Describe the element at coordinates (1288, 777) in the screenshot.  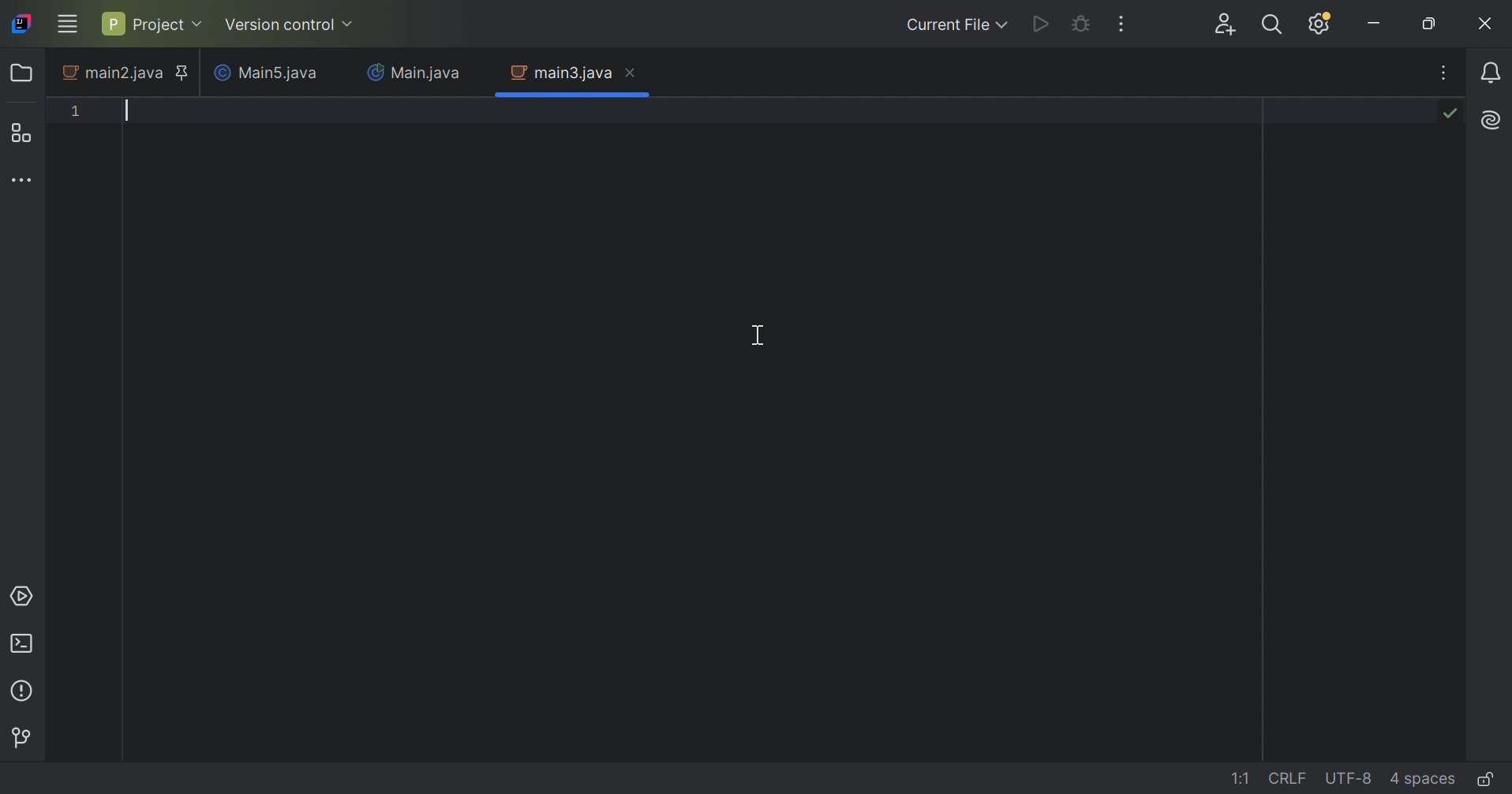
I see `line separation: \r\n` at that location.